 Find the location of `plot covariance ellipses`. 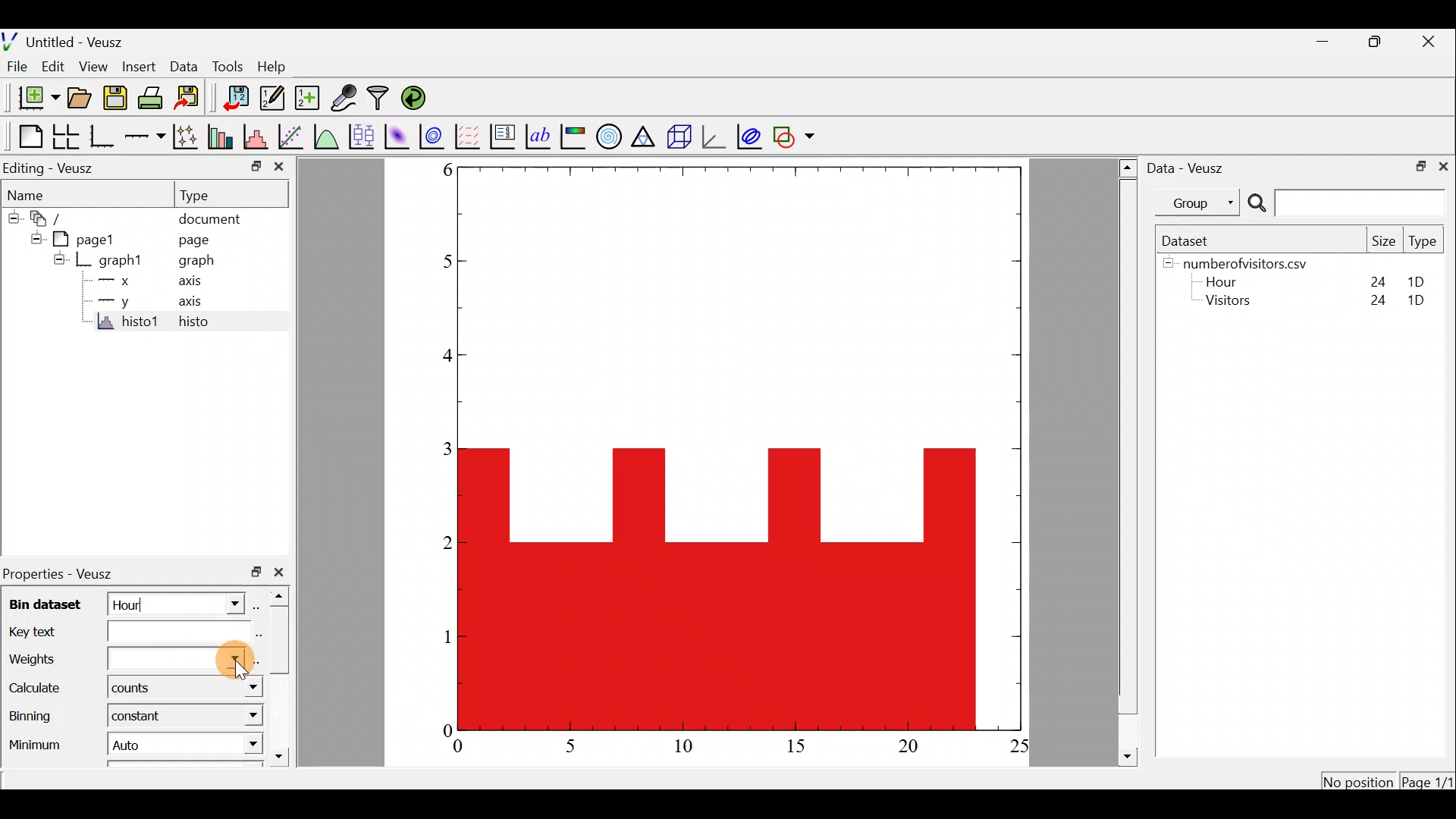

plot covariance ellipses is located at coordinates (747, 139).